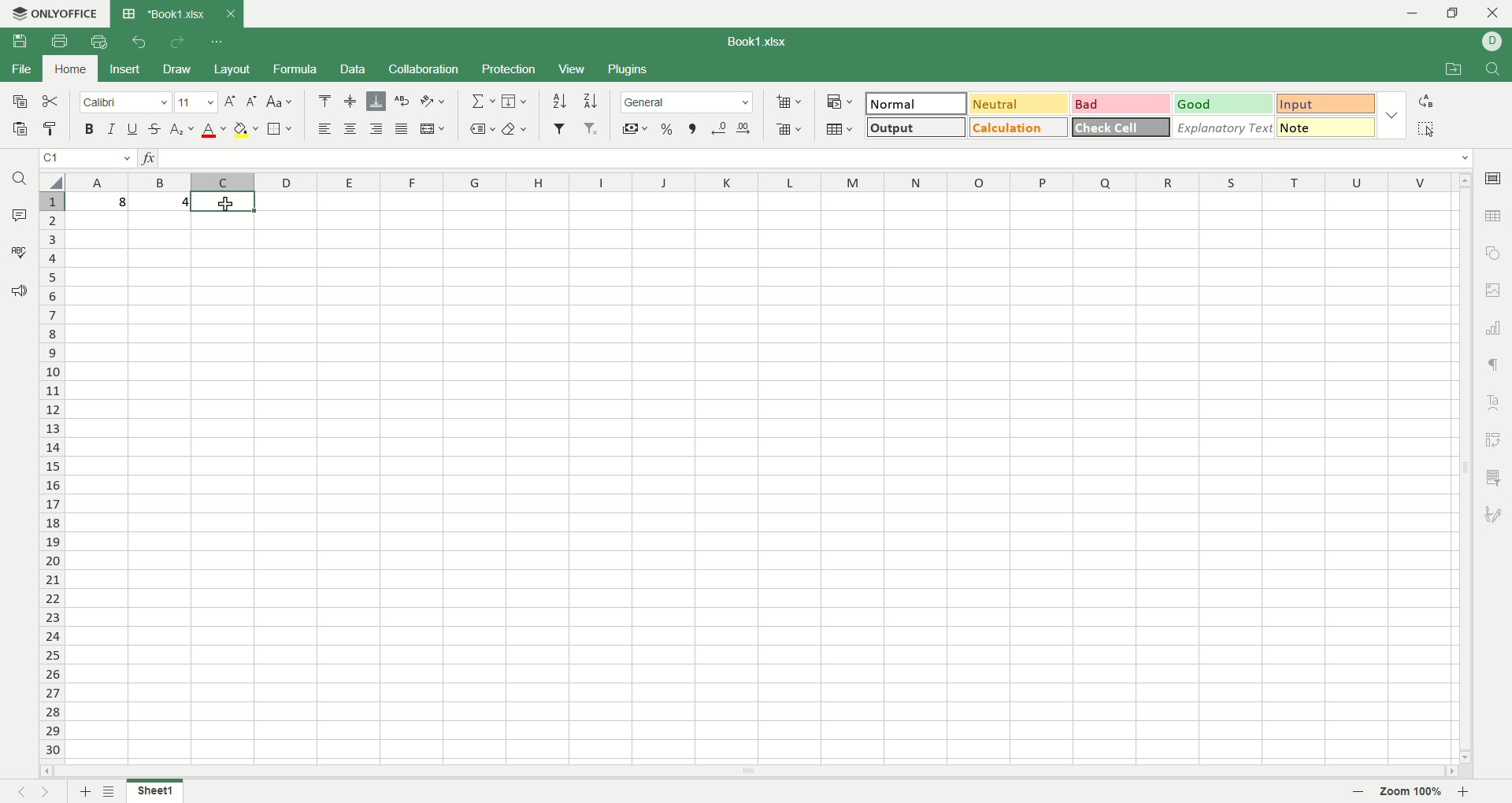 The width and height of the screenshot is (1512, 803). What do you see at coordinates (718, 129) in the screenshot?
I see `decrease decimal` at bounding box center [718, 129].